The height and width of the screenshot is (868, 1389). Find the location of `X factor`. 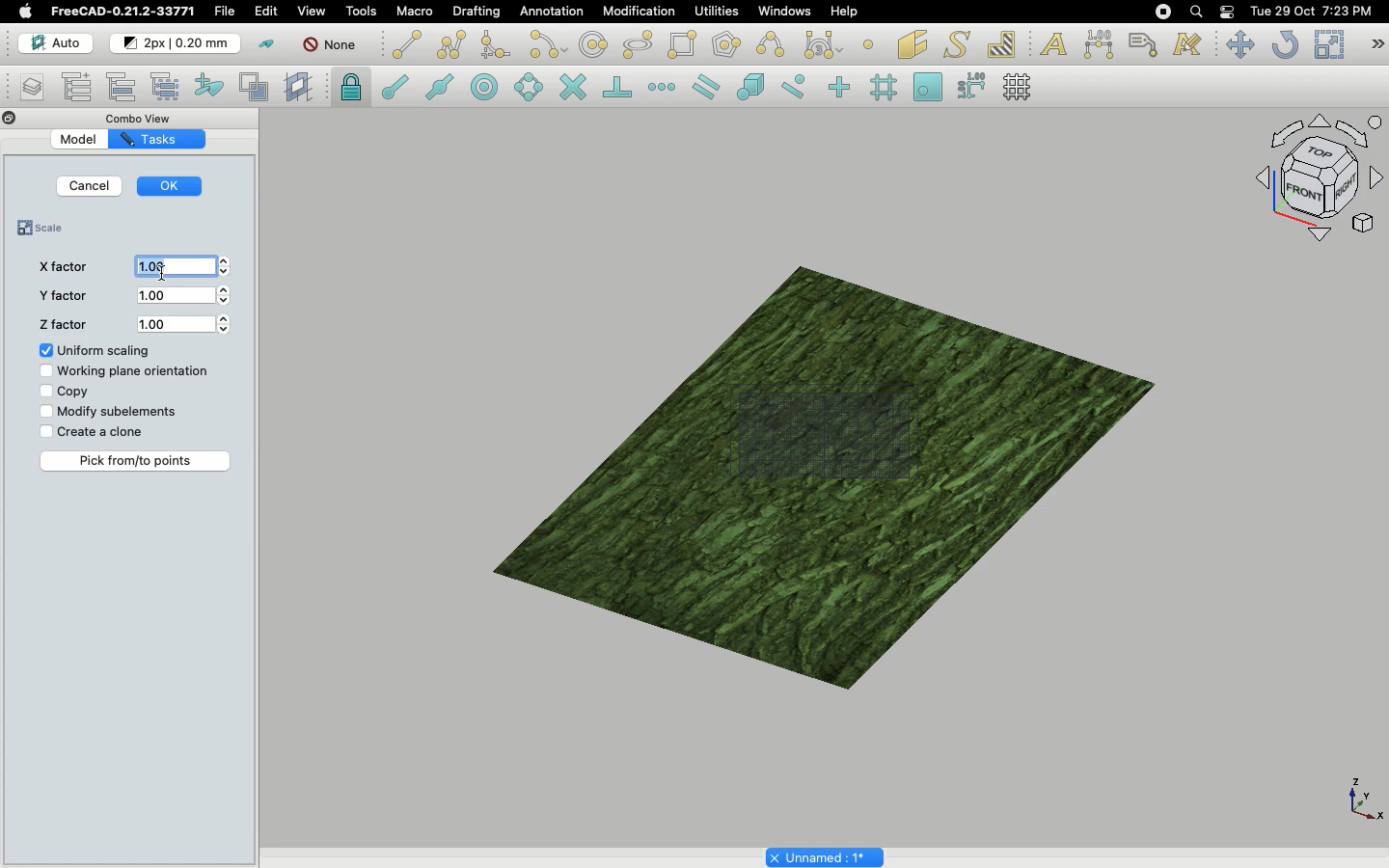

X factor is located at coordinates (60, 267).